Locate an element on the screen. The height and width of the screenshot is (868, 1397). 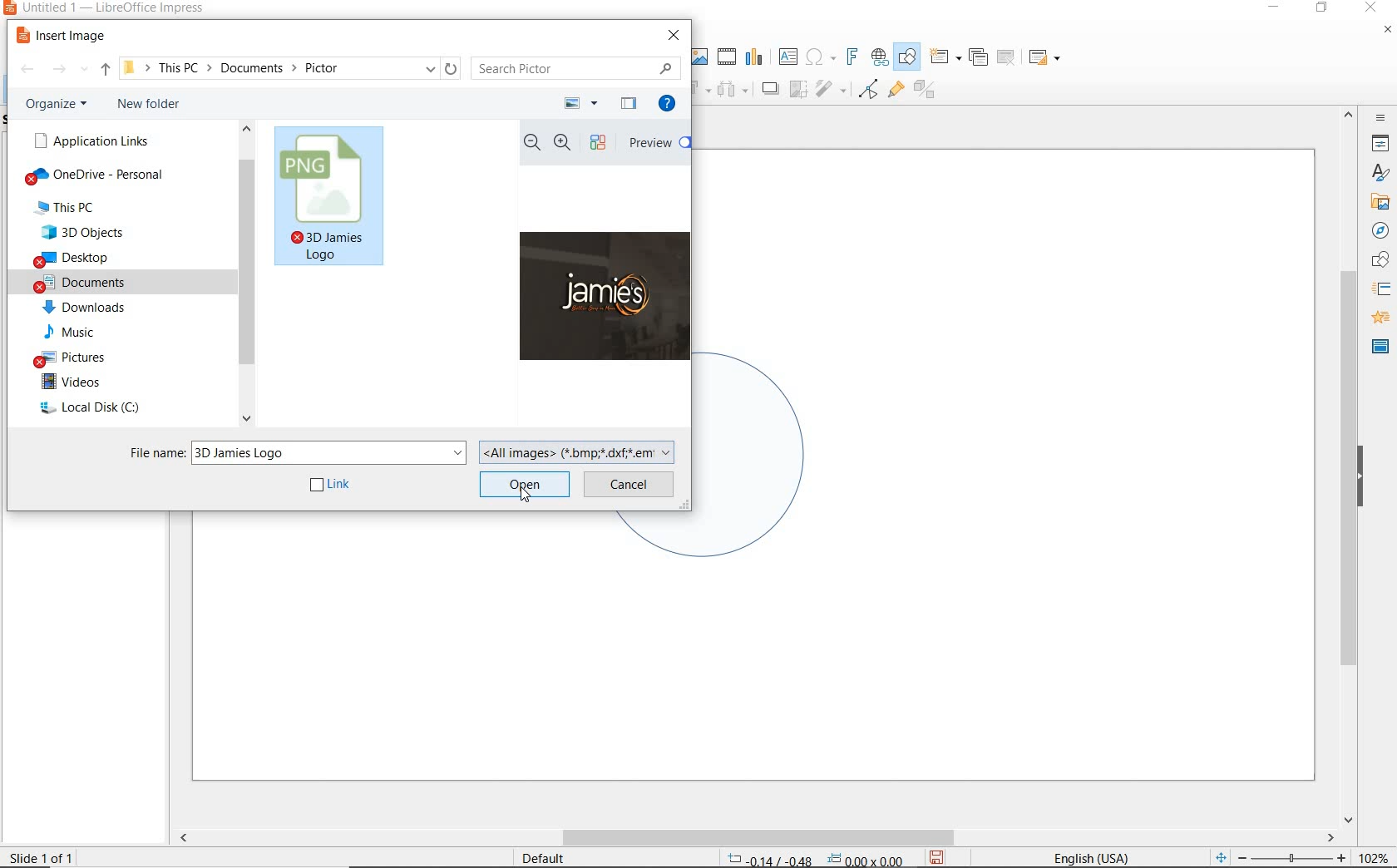
insert image is located at coordinates (65, 36).